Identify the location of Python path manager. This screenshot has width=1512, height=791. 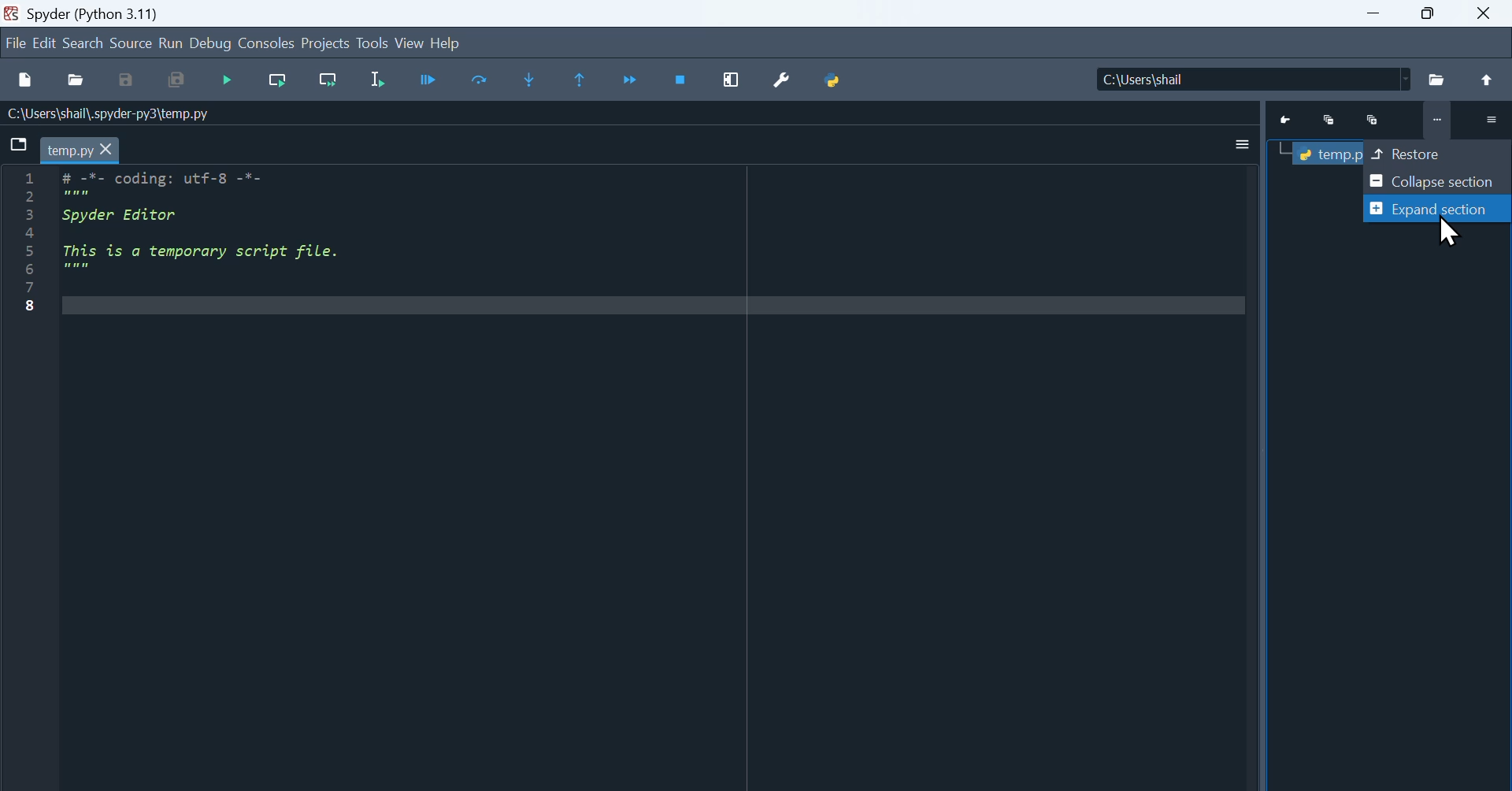
(833, 81).